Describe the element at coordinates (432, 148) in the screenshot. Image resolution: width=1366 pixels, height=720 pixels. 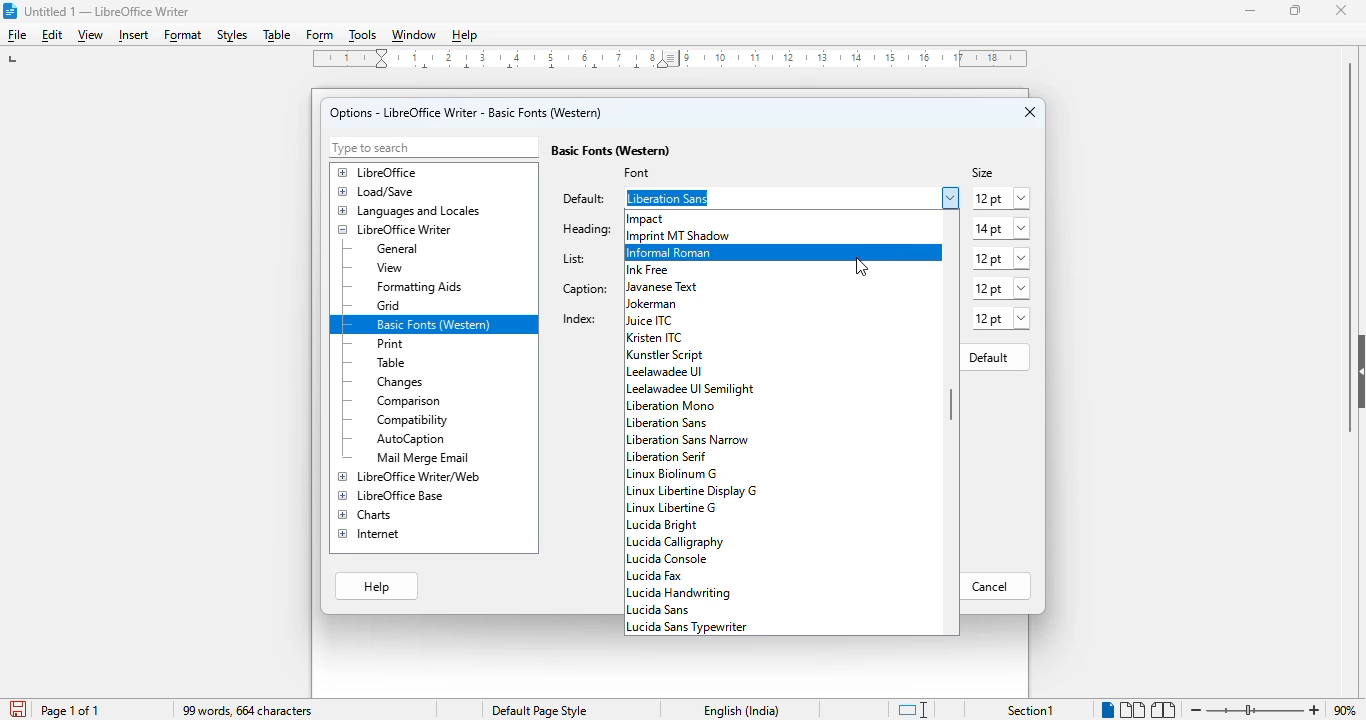
I see `type to search` at that location.